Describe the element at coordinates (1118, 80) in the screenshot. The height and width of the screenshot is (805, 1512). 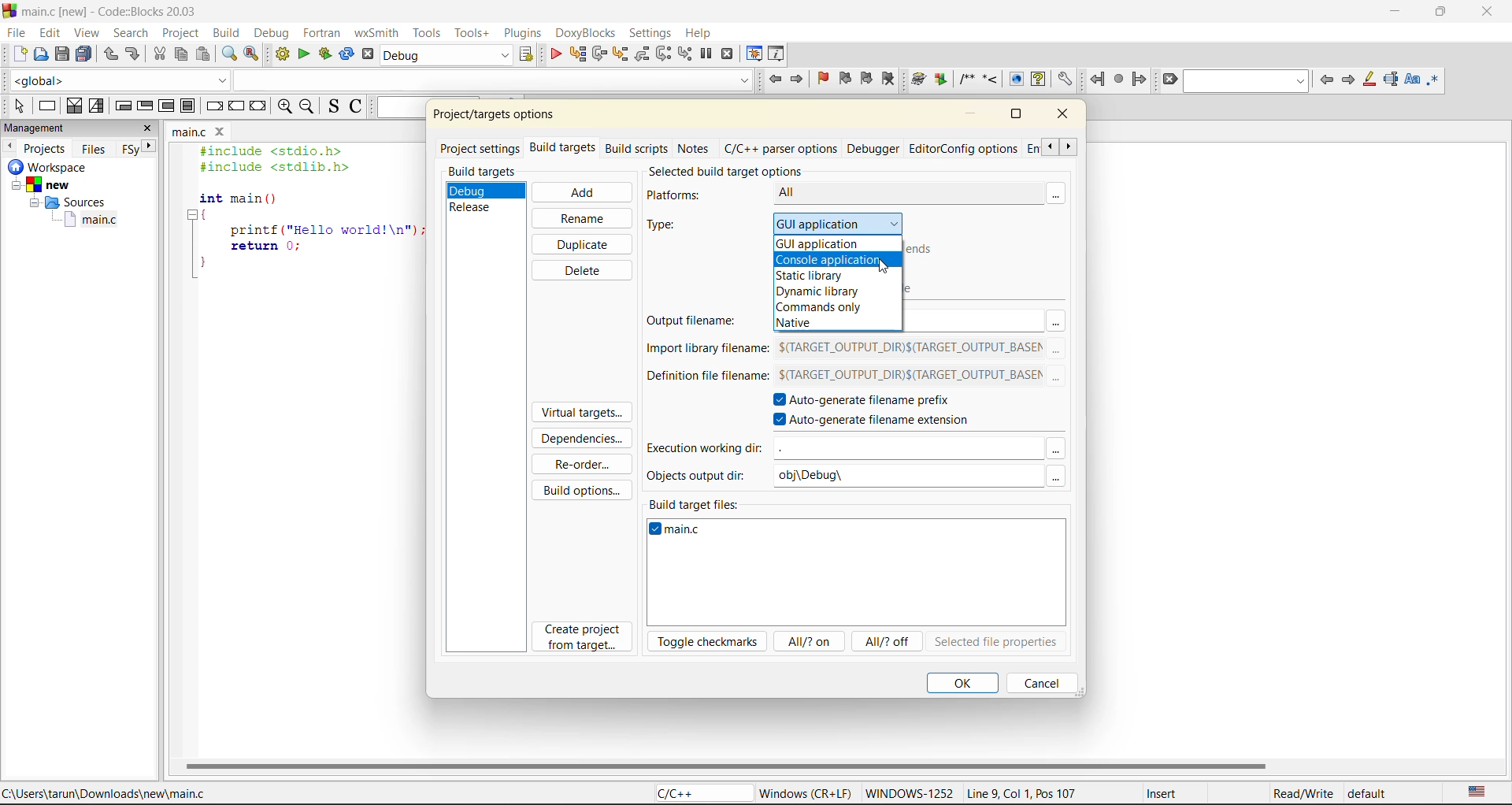
I see `last jump` at that location.